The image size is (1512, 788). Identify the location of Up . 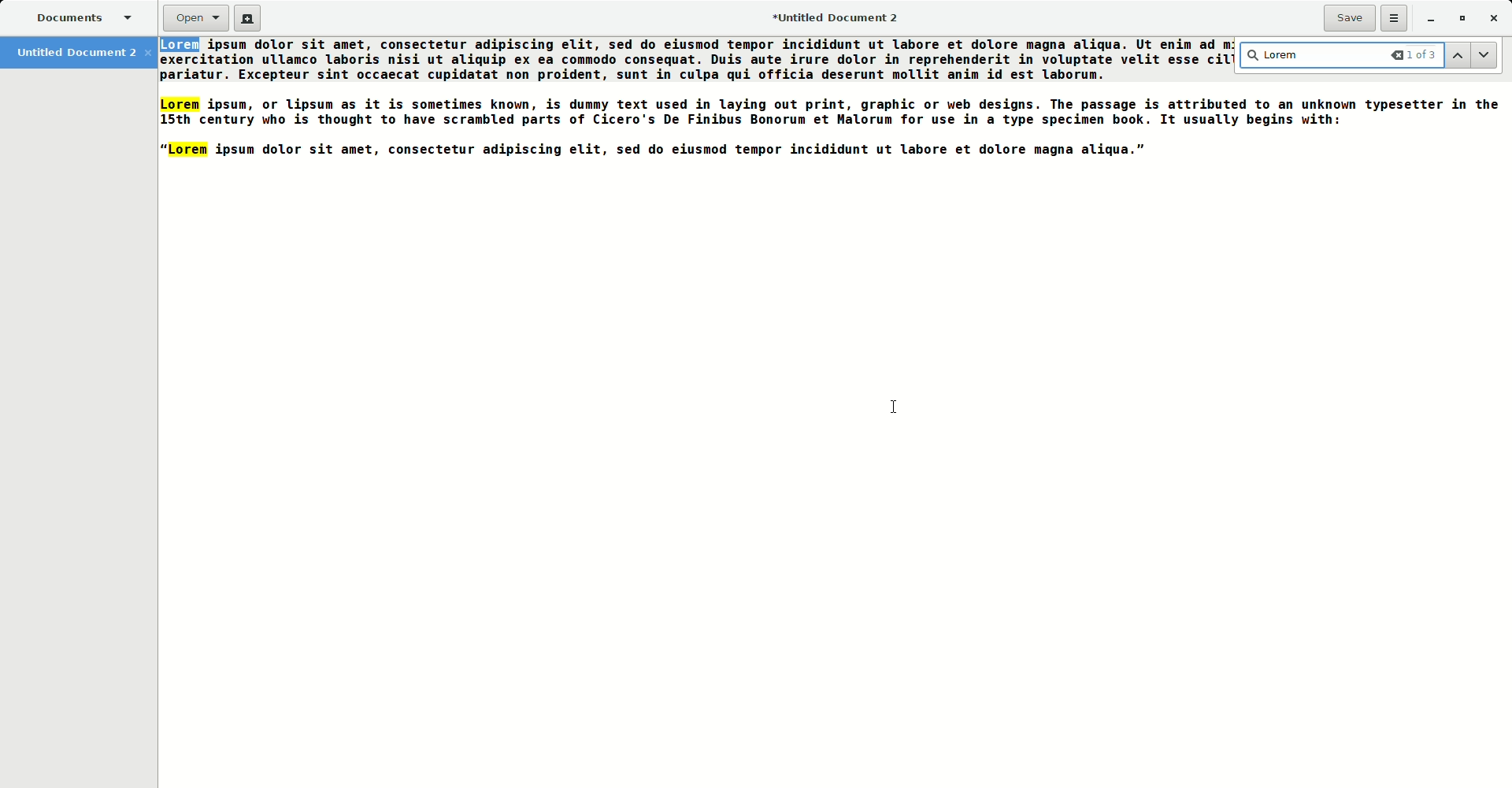
(1461, 56).